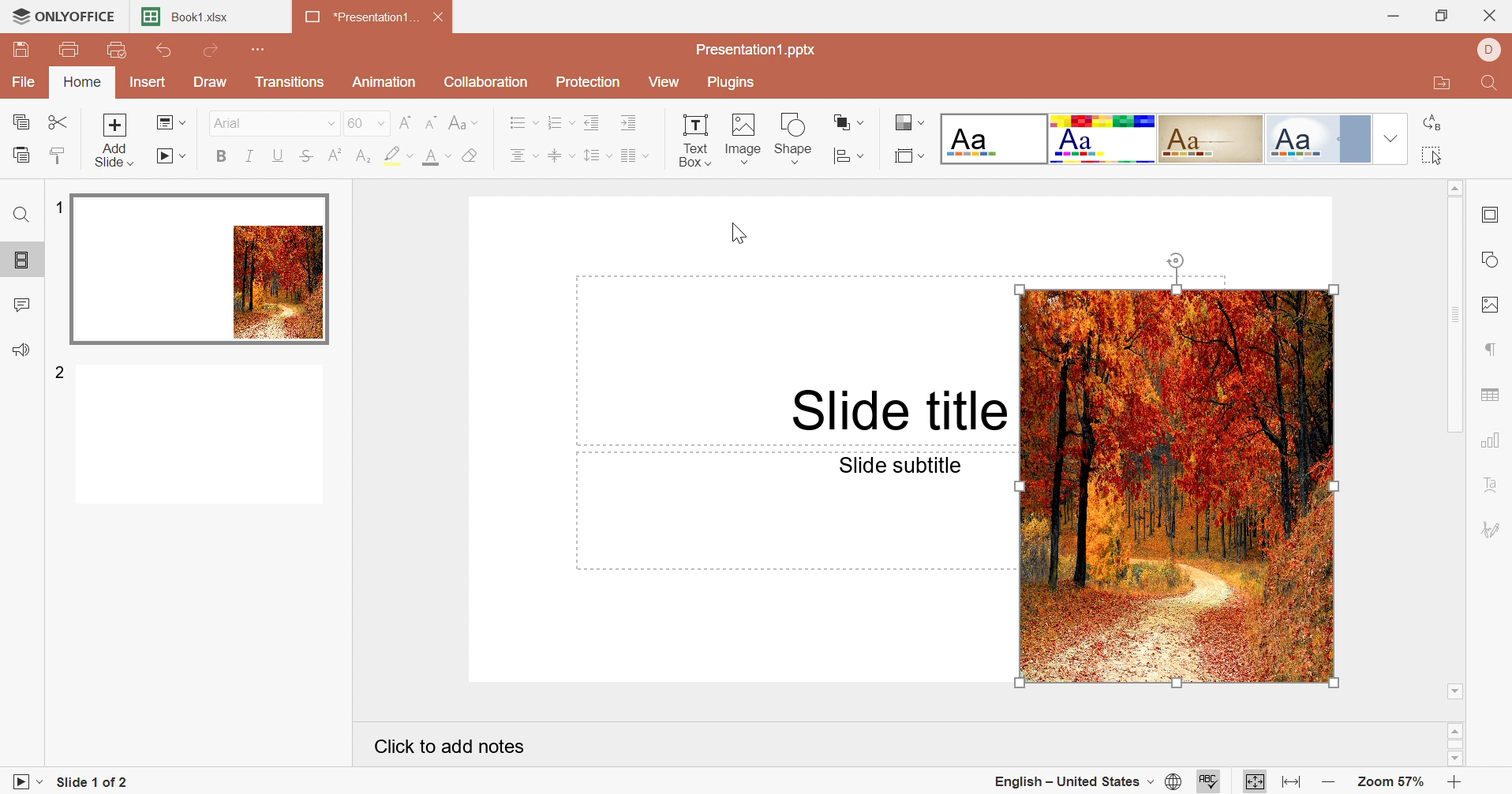 This screenshot has width=1512, height=794. I want to click on Numbering, so click(560, 122).